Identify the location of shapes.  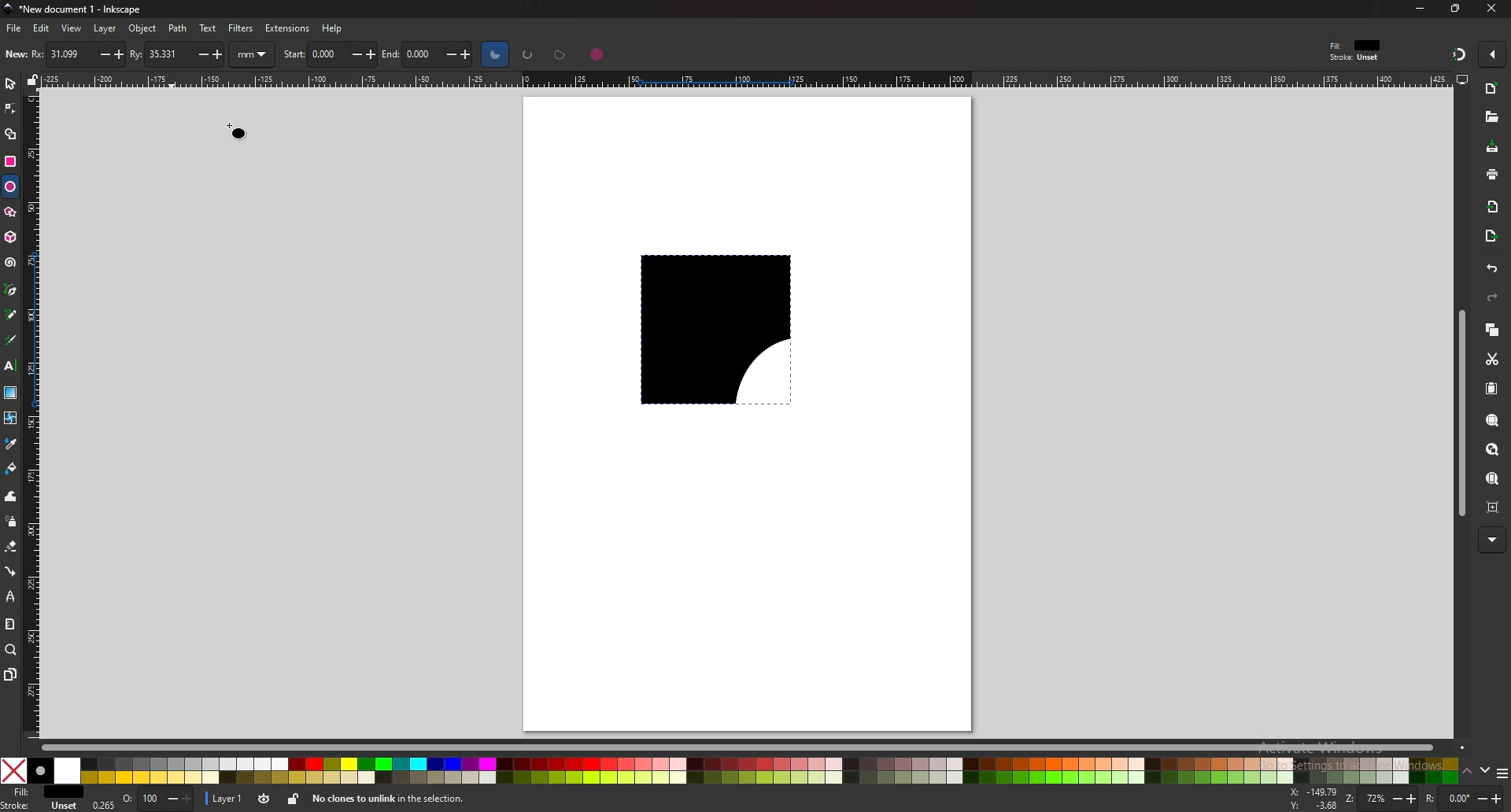
(737, 372).